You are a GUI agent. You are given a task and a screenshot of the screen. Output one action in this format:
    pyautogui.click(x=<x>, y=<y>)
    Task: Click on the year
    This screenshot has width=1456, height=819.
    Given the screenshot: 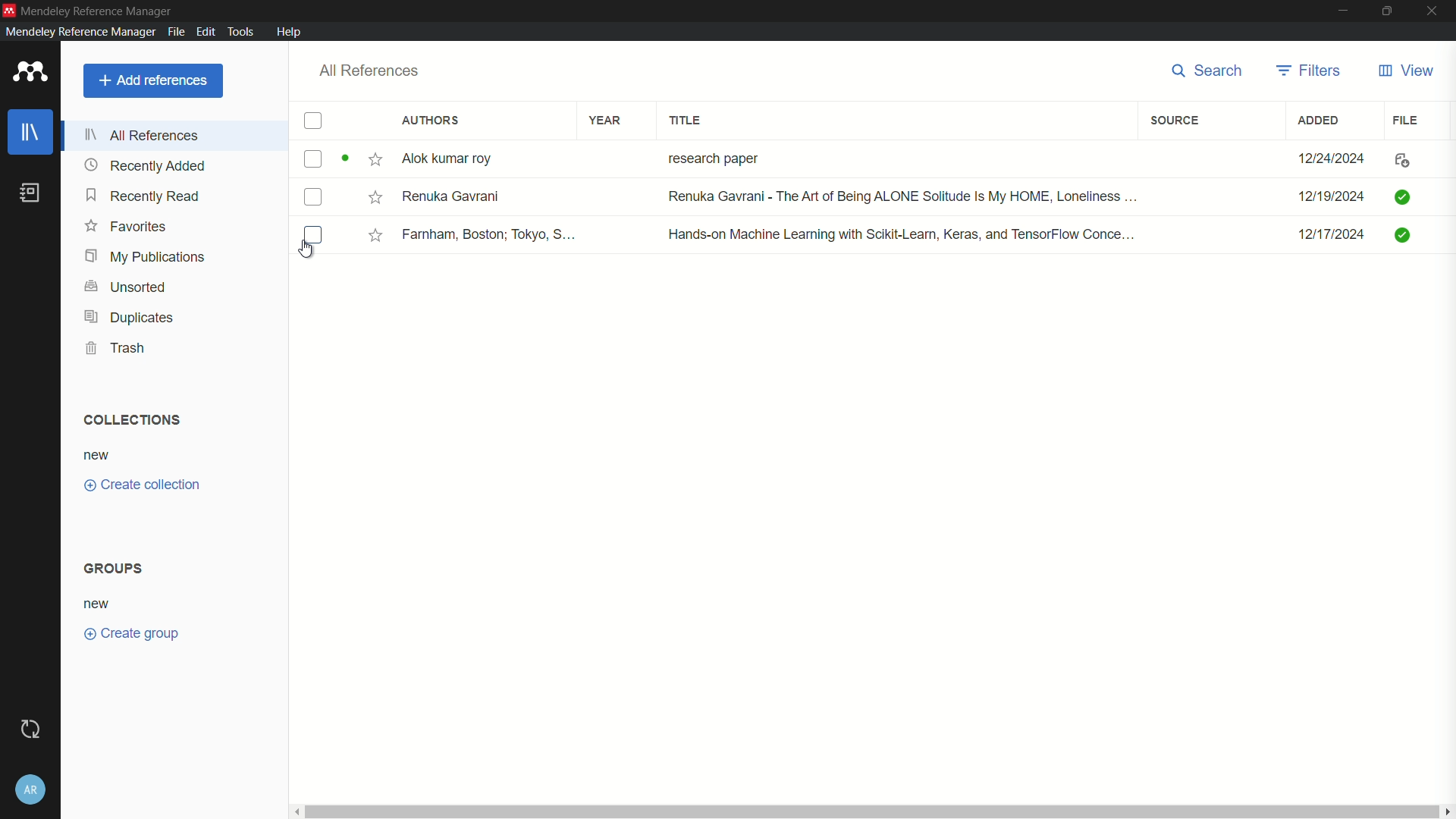 What is the action you would take?
    pyautogui.click(x=606, y=120)
    